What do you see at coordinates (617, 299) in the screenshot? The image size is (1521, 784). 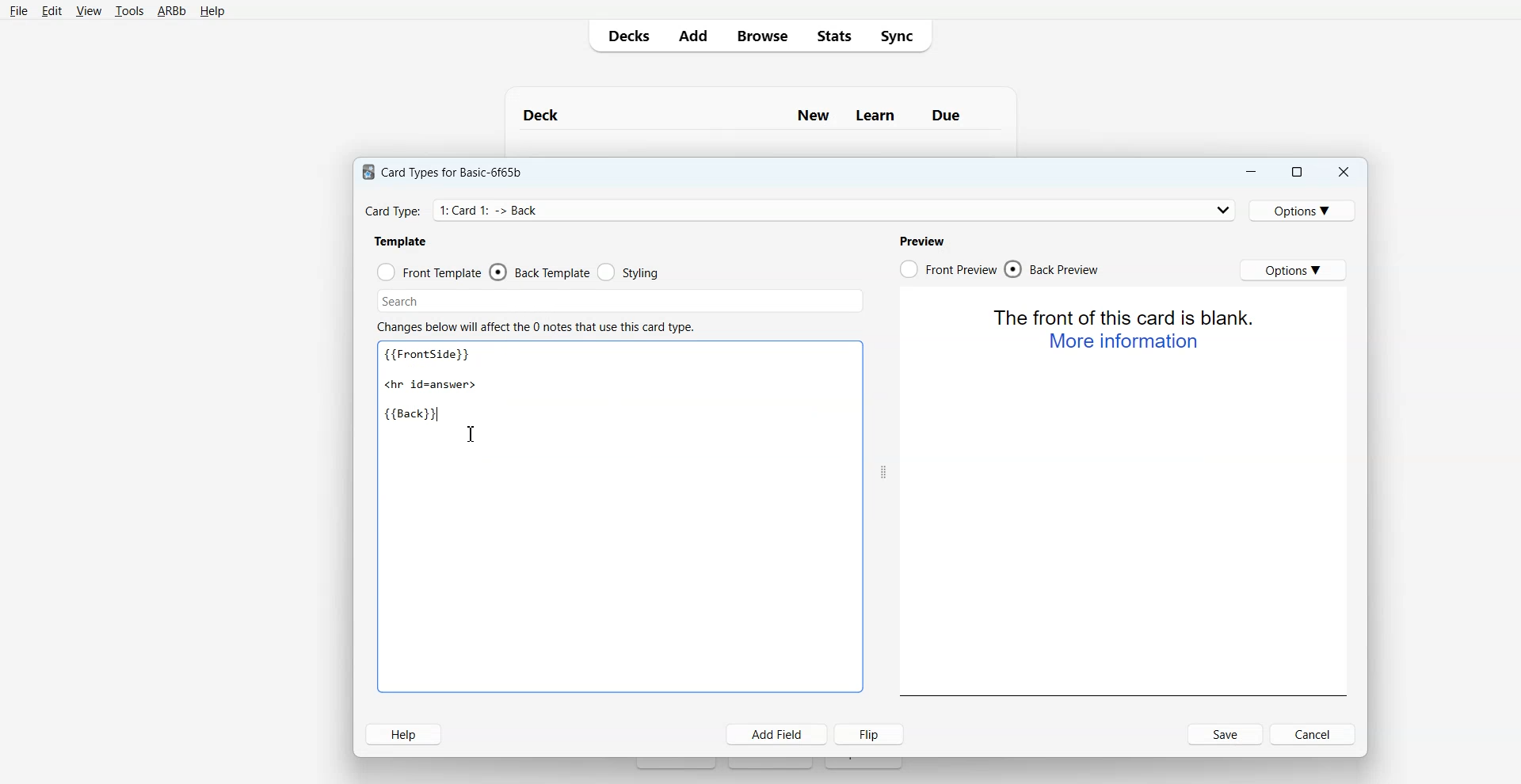 I see `Search Bar` at bounding box center [617, 299].